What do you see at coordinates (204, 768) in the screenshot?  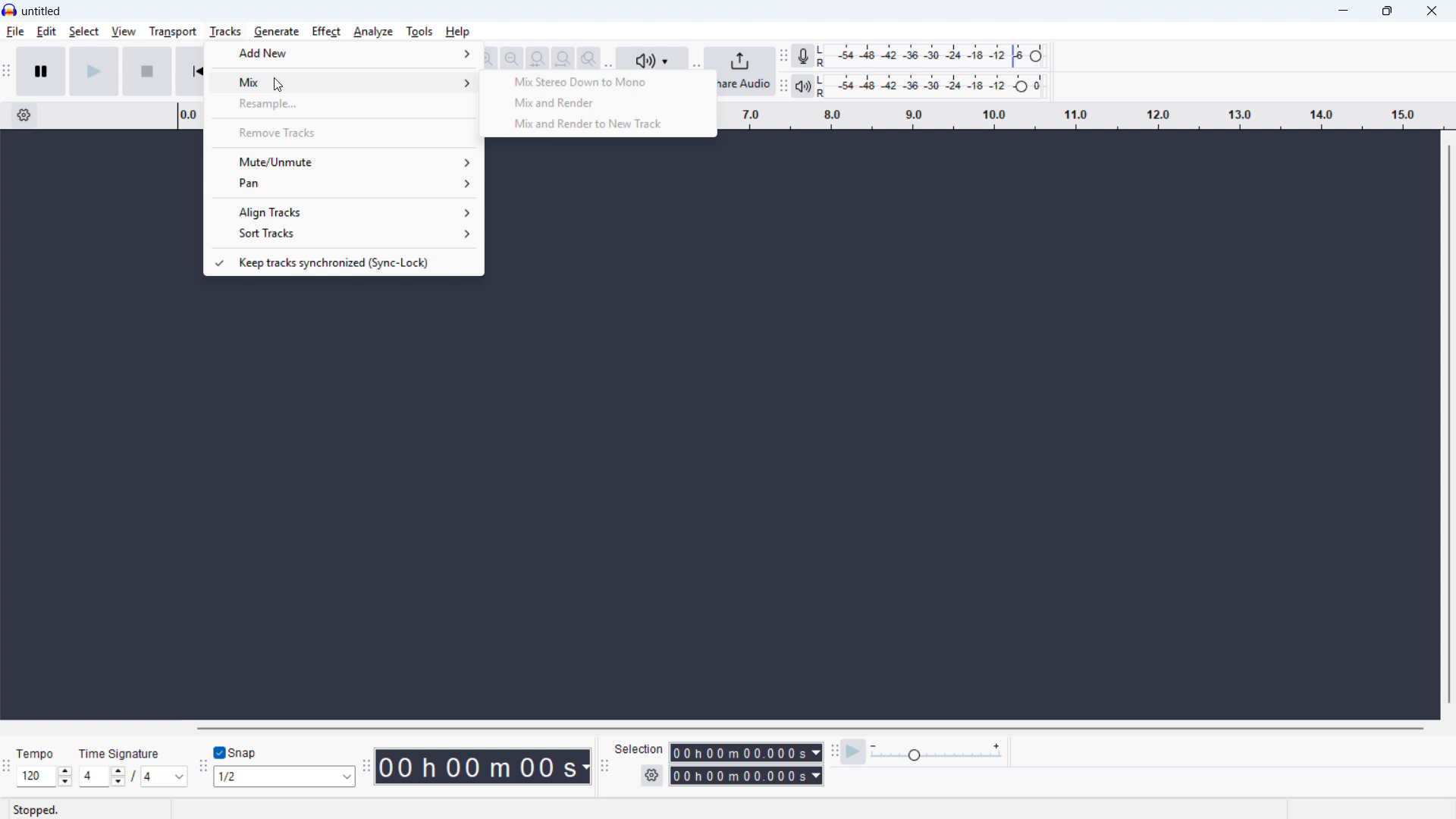 I see `Snapping toolbar` at bounding box center [204, 768].